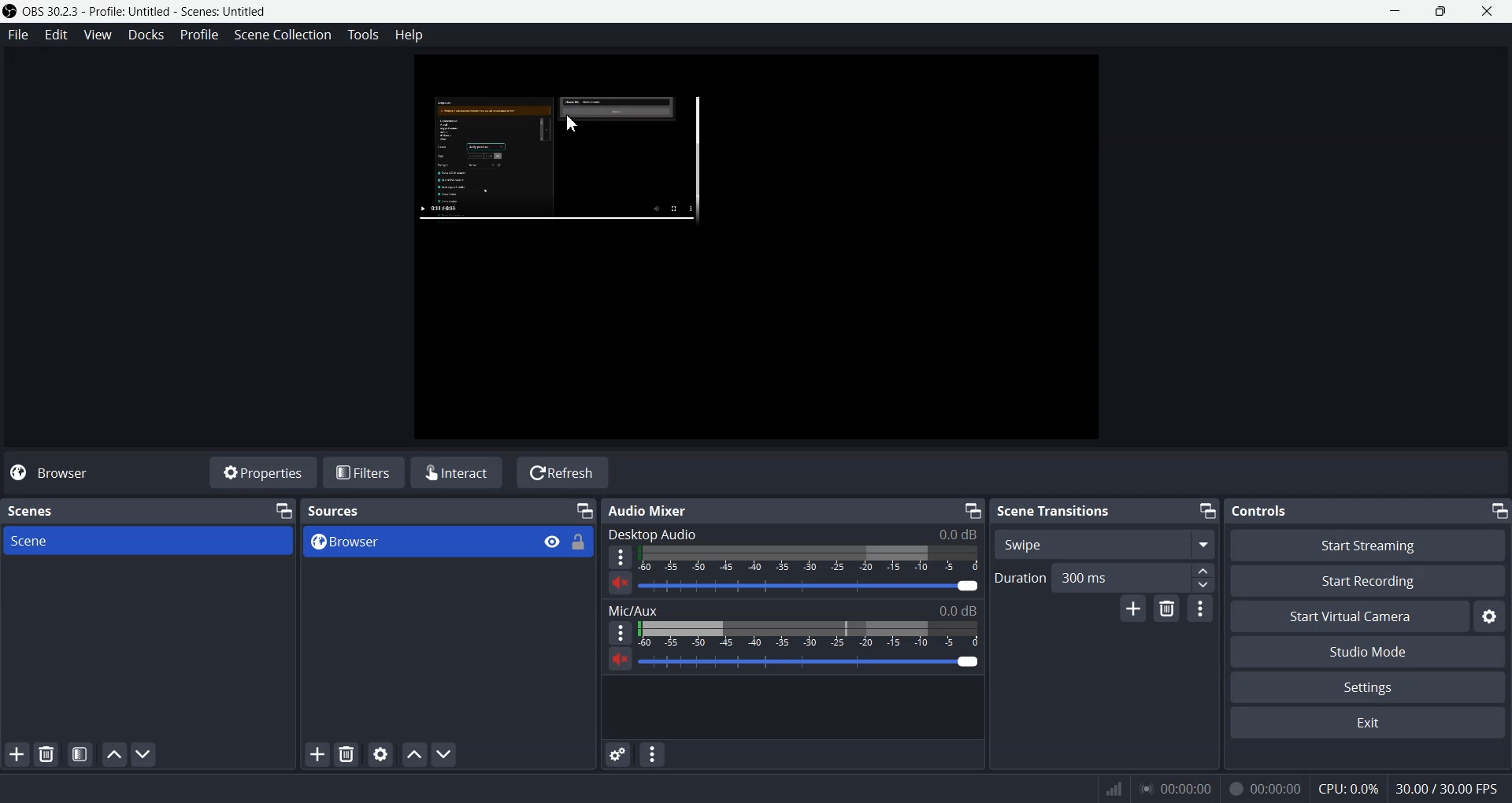 The image size is (1512, 803). What do you see at coordinates (1350, 616) in the screenshot?
I see `Start Virtual Camera` at bounding box center [1350, 616].